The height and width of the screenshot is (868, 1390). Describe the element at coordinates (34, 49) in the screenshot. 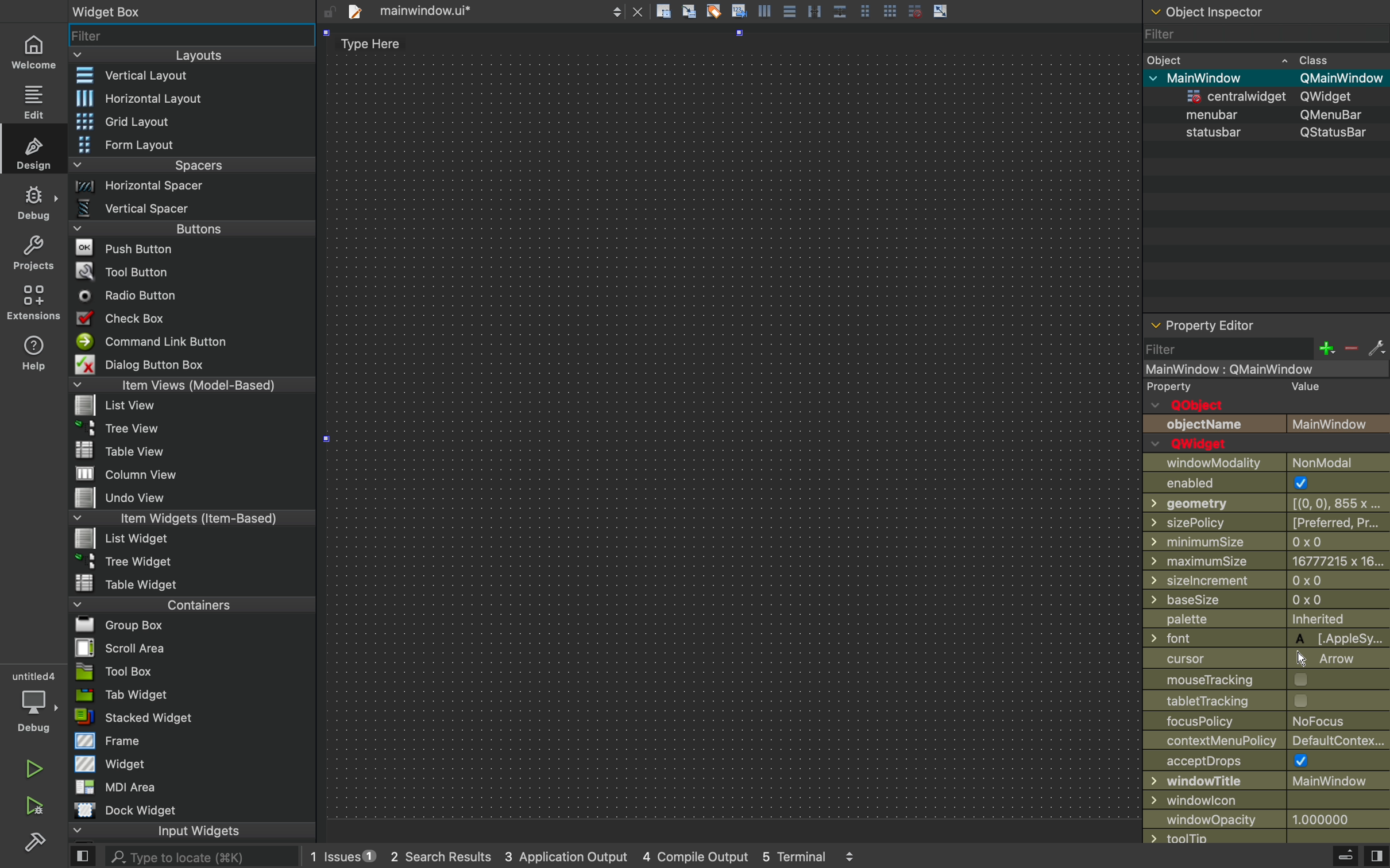

I see `home` at that location.